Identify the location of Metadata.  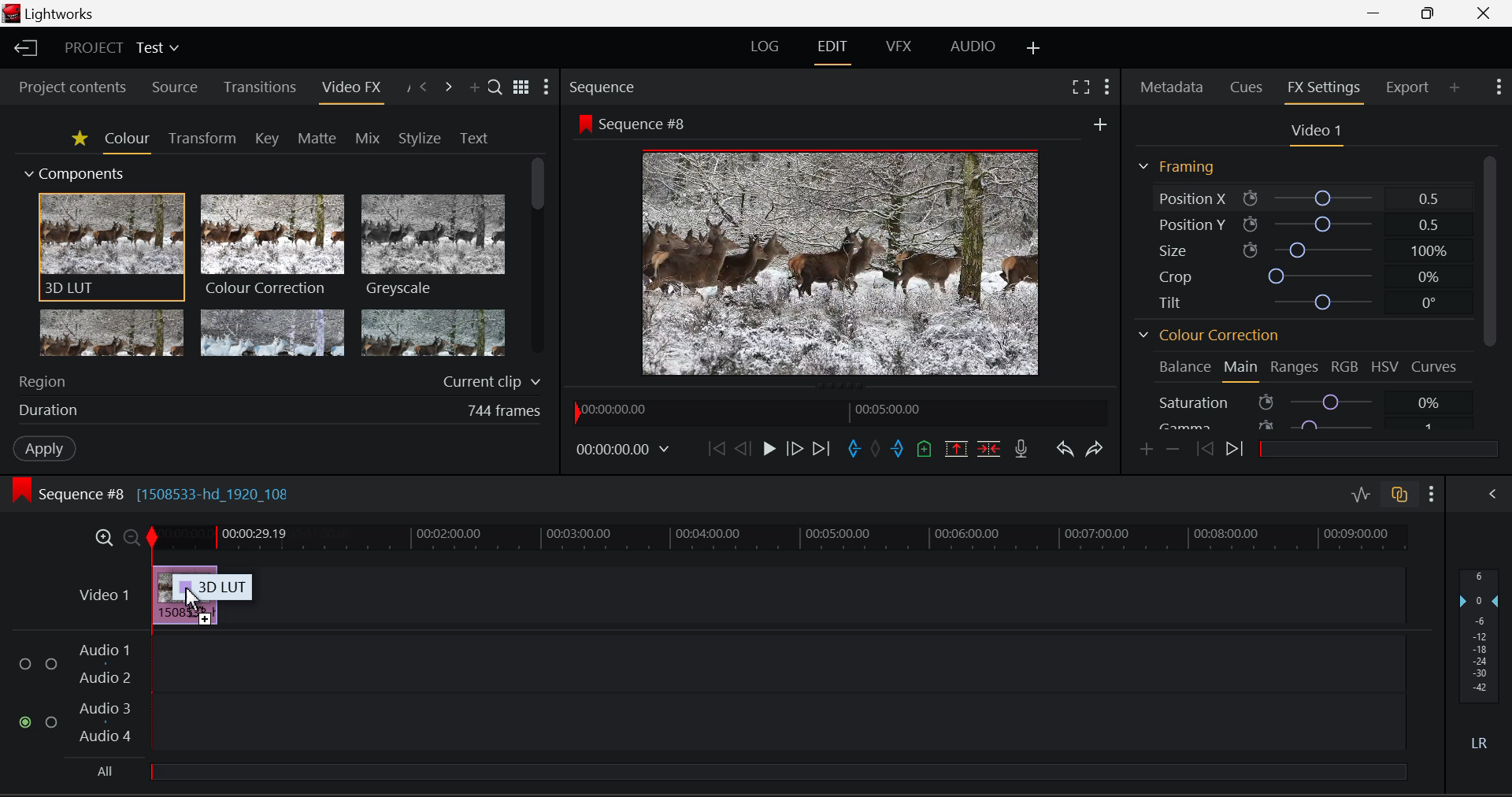
(1170, 87).